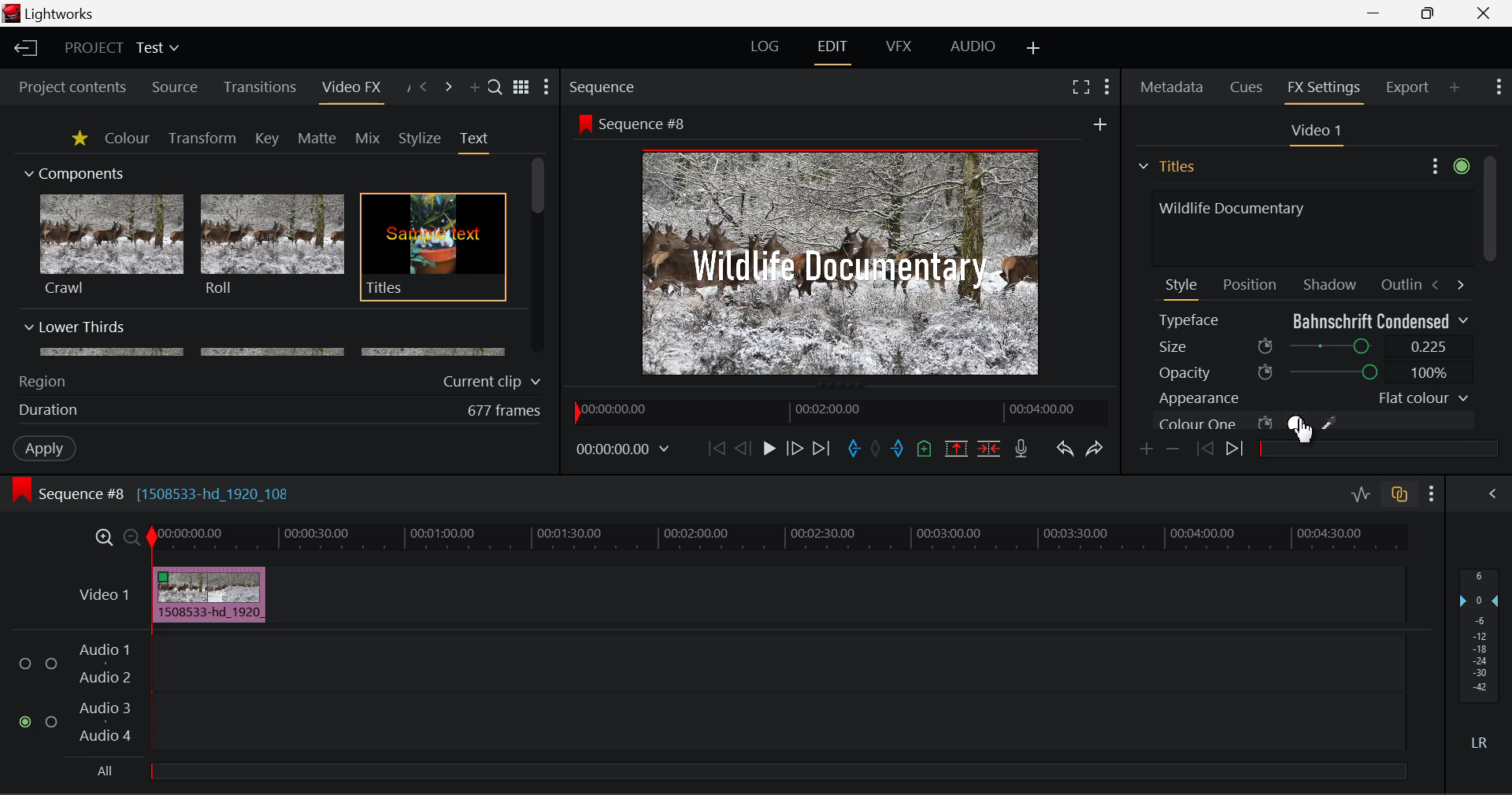 This screenshot has height=795, width=1512. What do you see at coordinates (600, 86) in the screenshot?
I see `Sequence` at bounding box center [600, 86].